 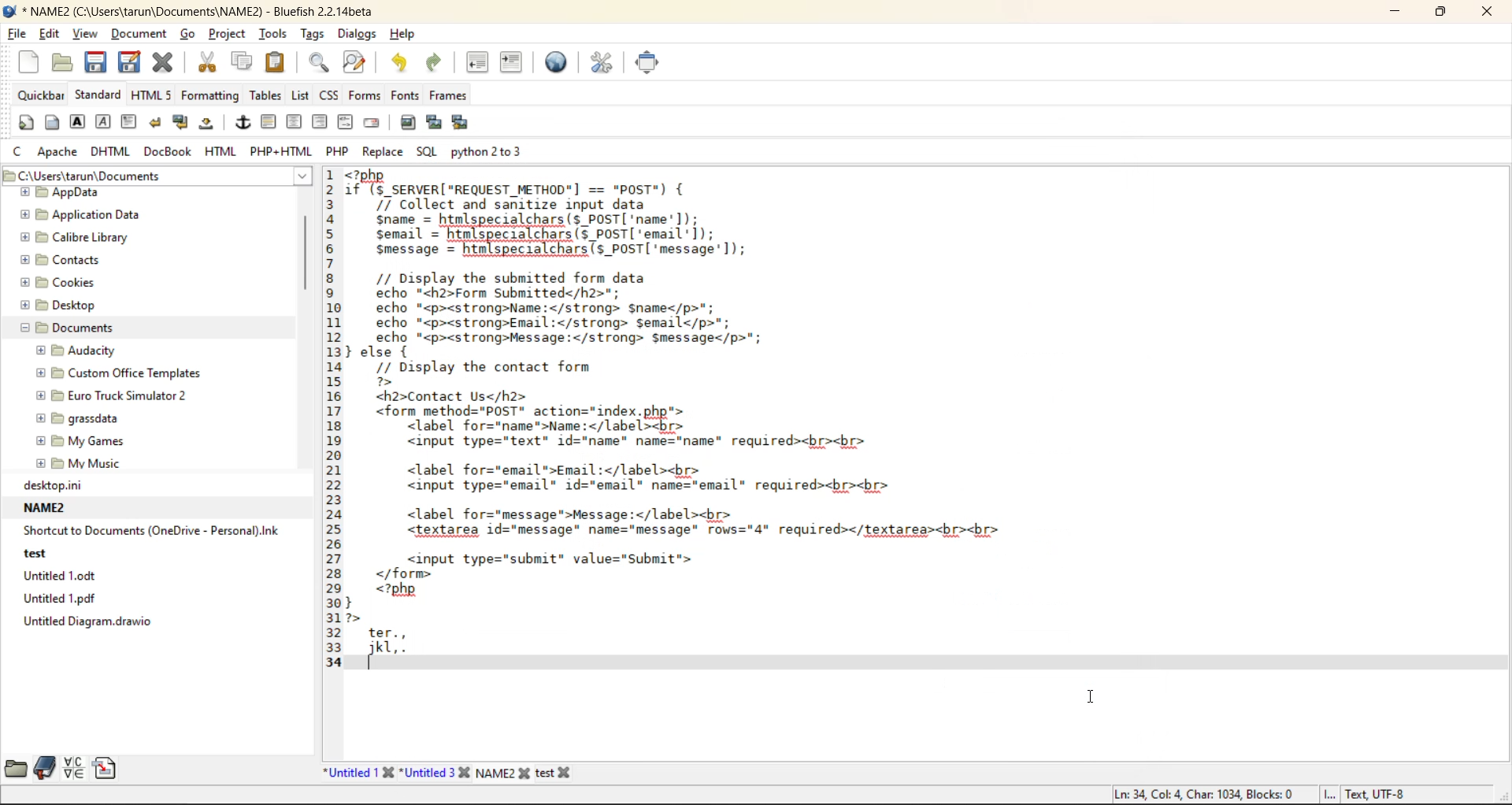 I want to click on tables, so click(x=265, y=95).